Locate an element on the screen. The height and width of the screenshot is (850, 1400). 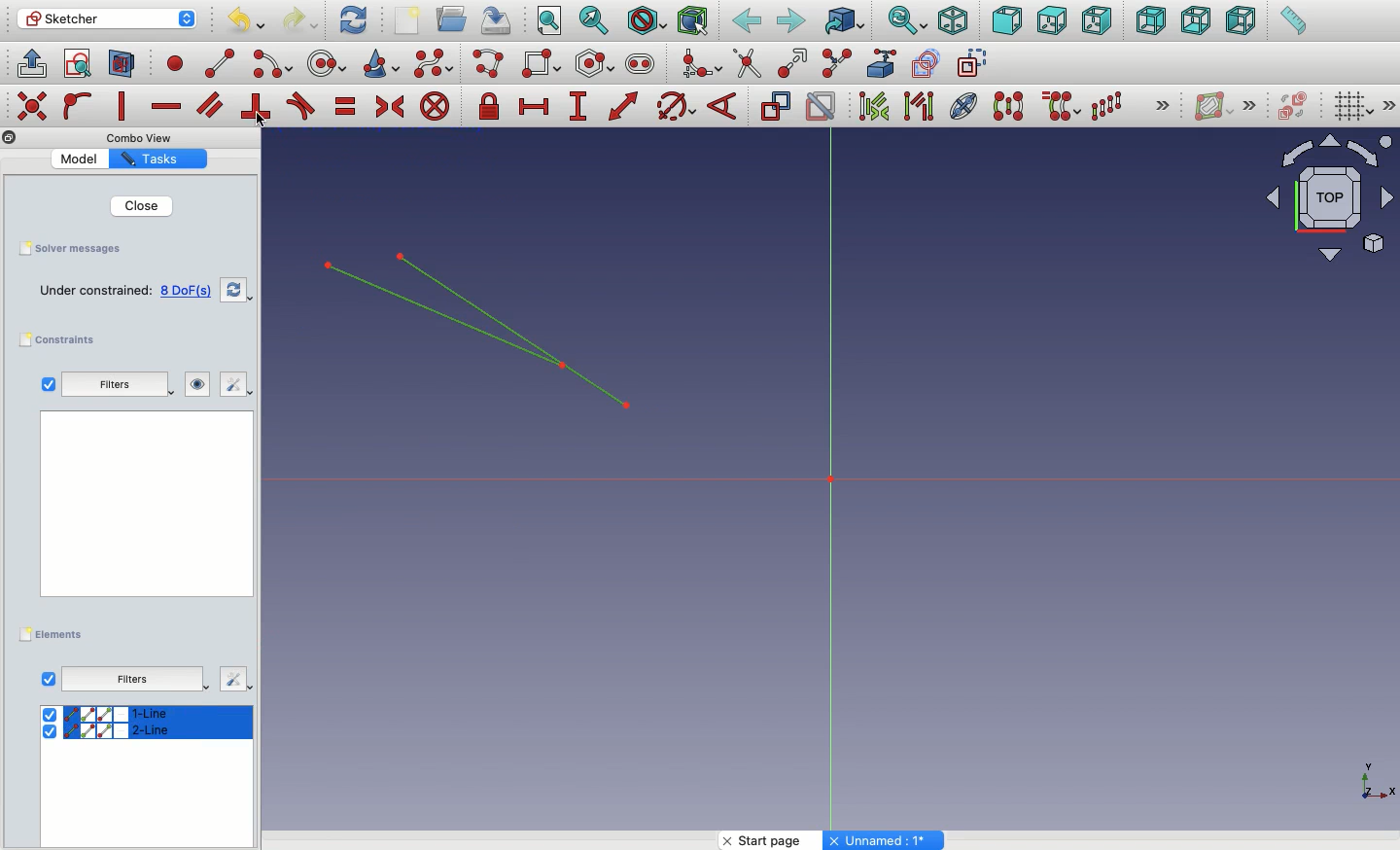
Constrain vertical distance is located at coordinates (581, 108).